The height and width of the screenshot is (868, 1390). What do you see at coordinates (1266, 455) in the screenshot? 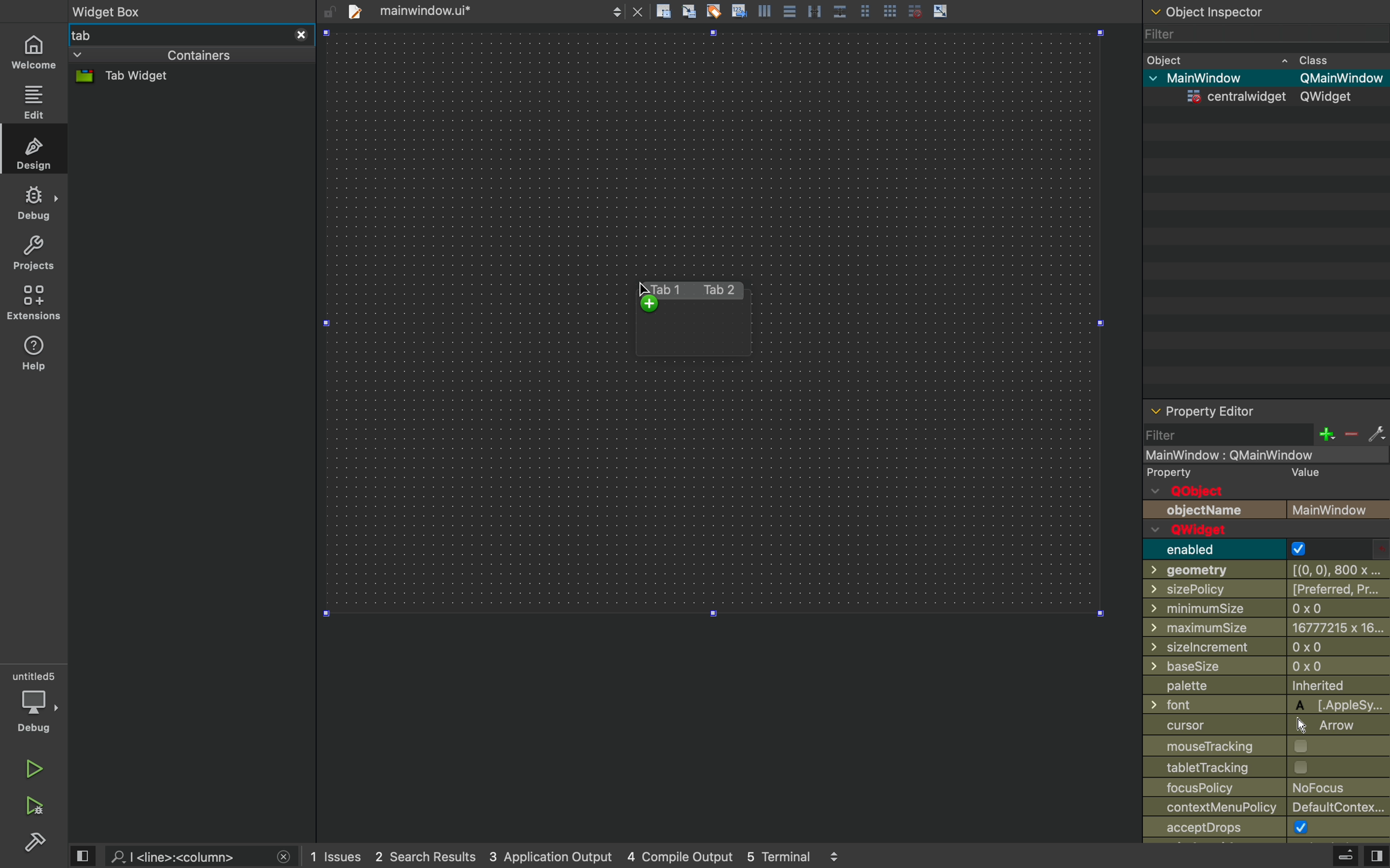
I see `mainwindow` at bounding box center [1266, 455].